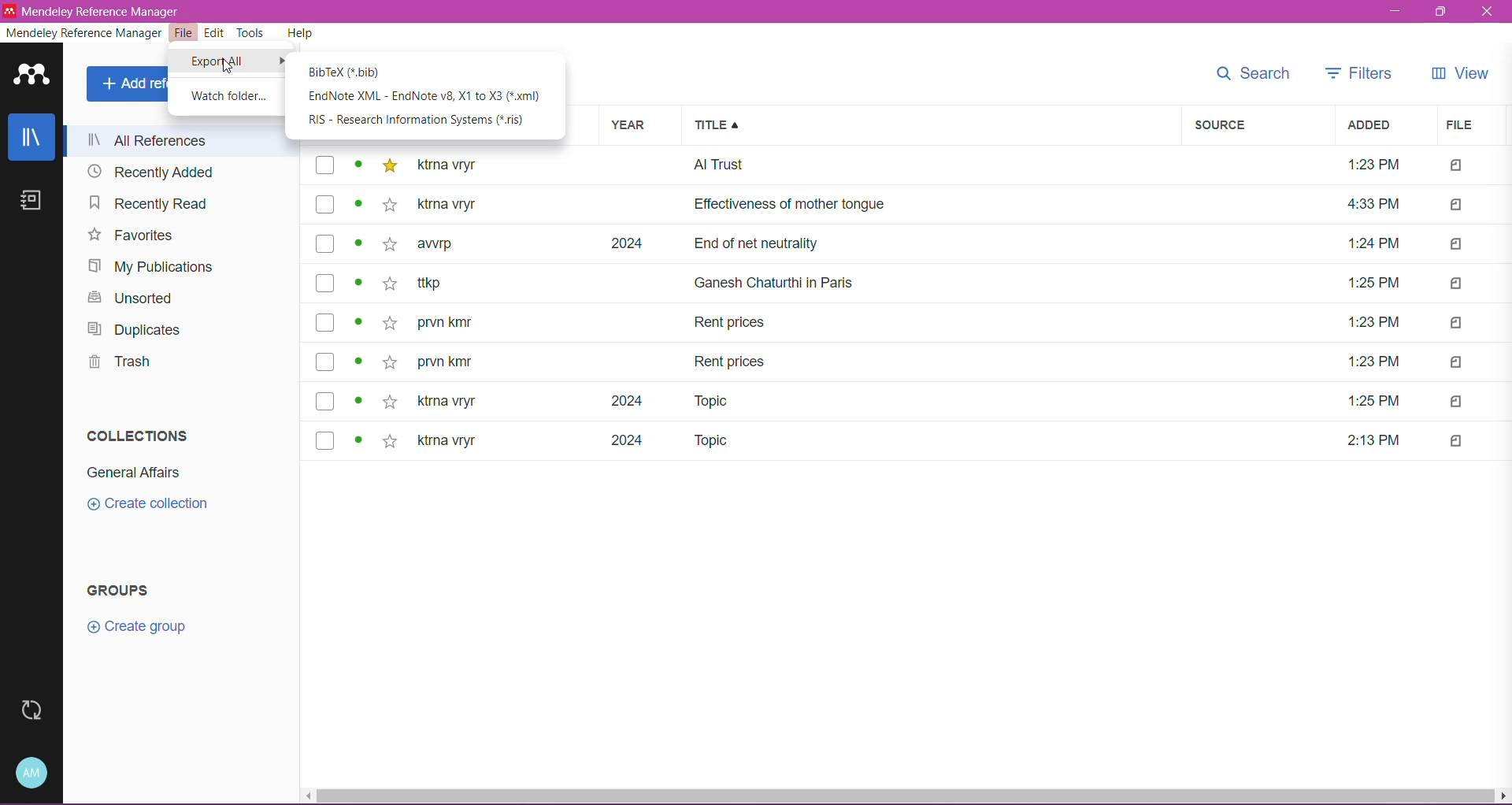 This screenshot has height=805, width=1512. I want to click on Filters, so click(1354, 72).